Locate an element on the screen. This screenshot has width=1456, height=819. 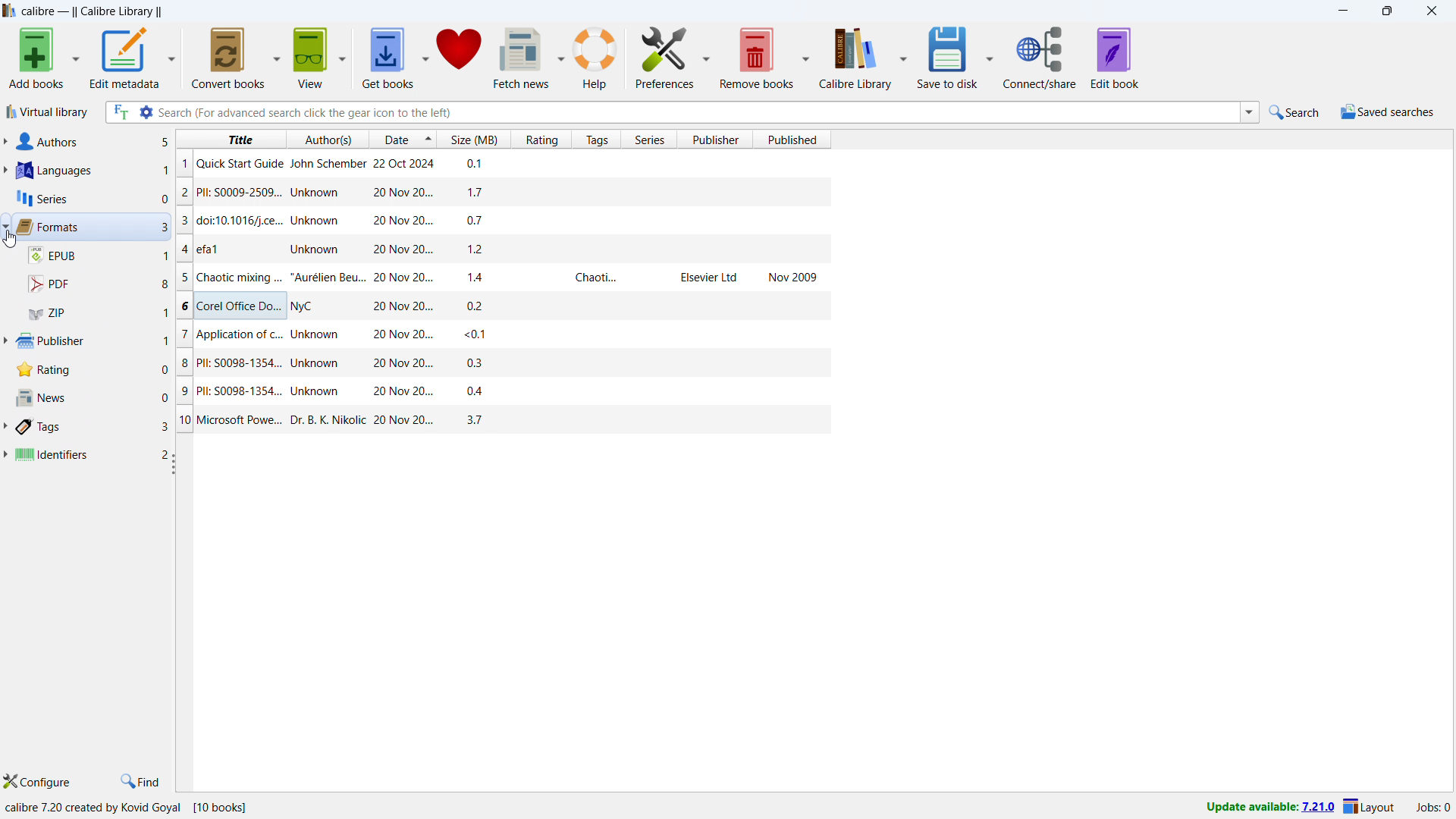
title is located at coordinates (92, 11).